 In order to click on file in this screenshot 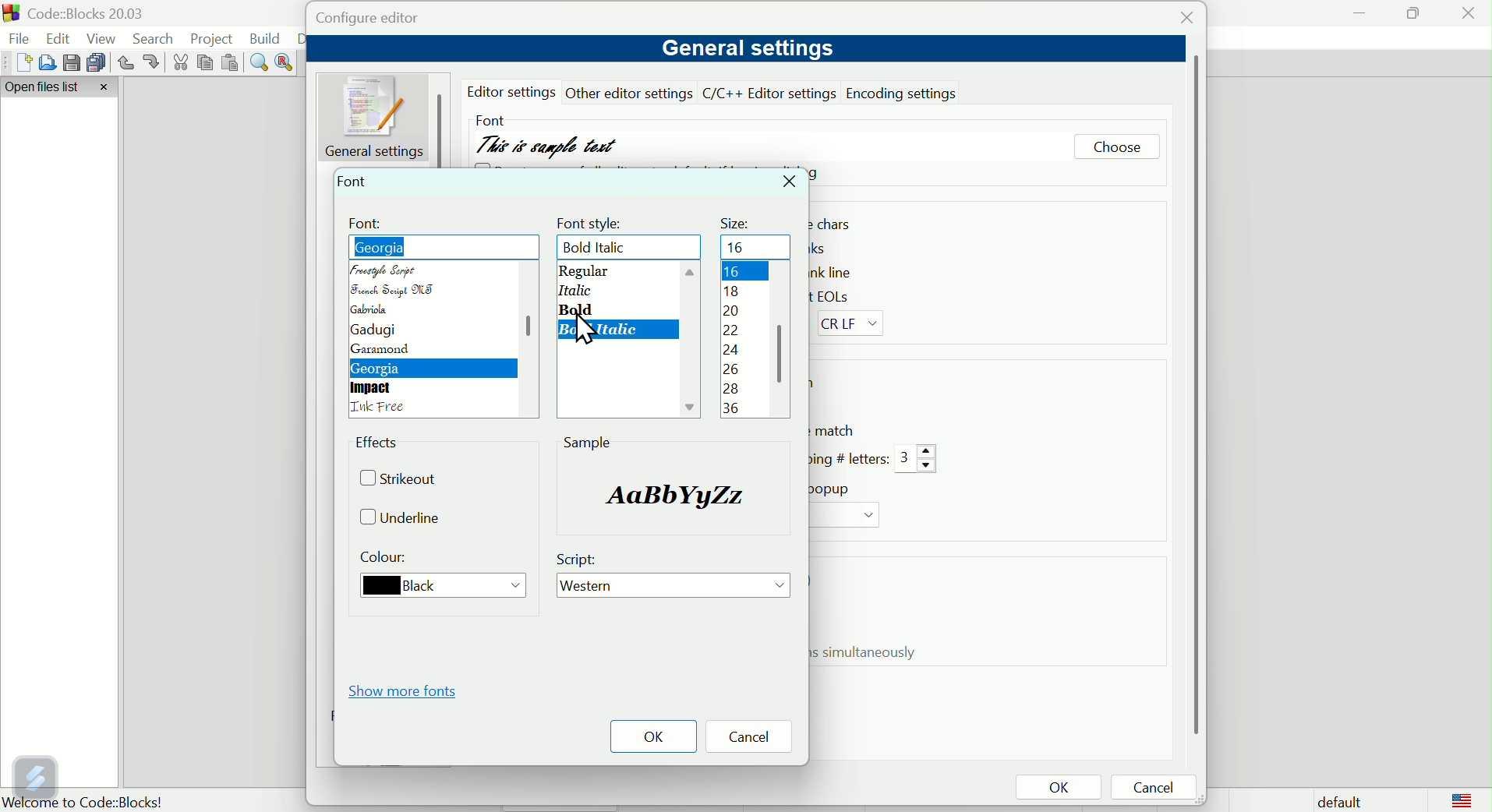, I will do `click(20, 40)`.